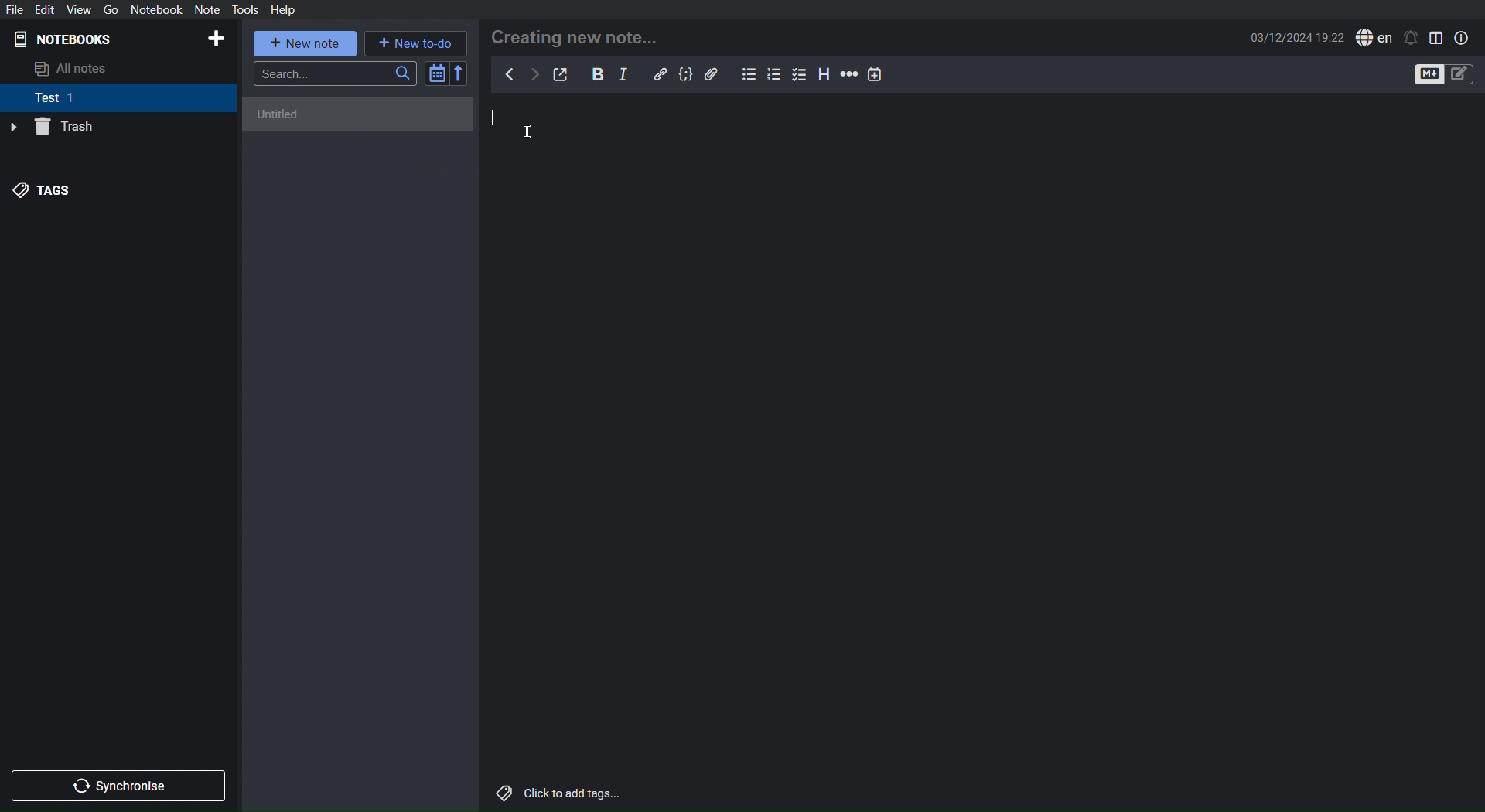 This screenshot has width=1485, height=812. What do you see at coordinates (527, 131) in the screenshot?
I see `Text Cursor` at bounding box center [527, 131].